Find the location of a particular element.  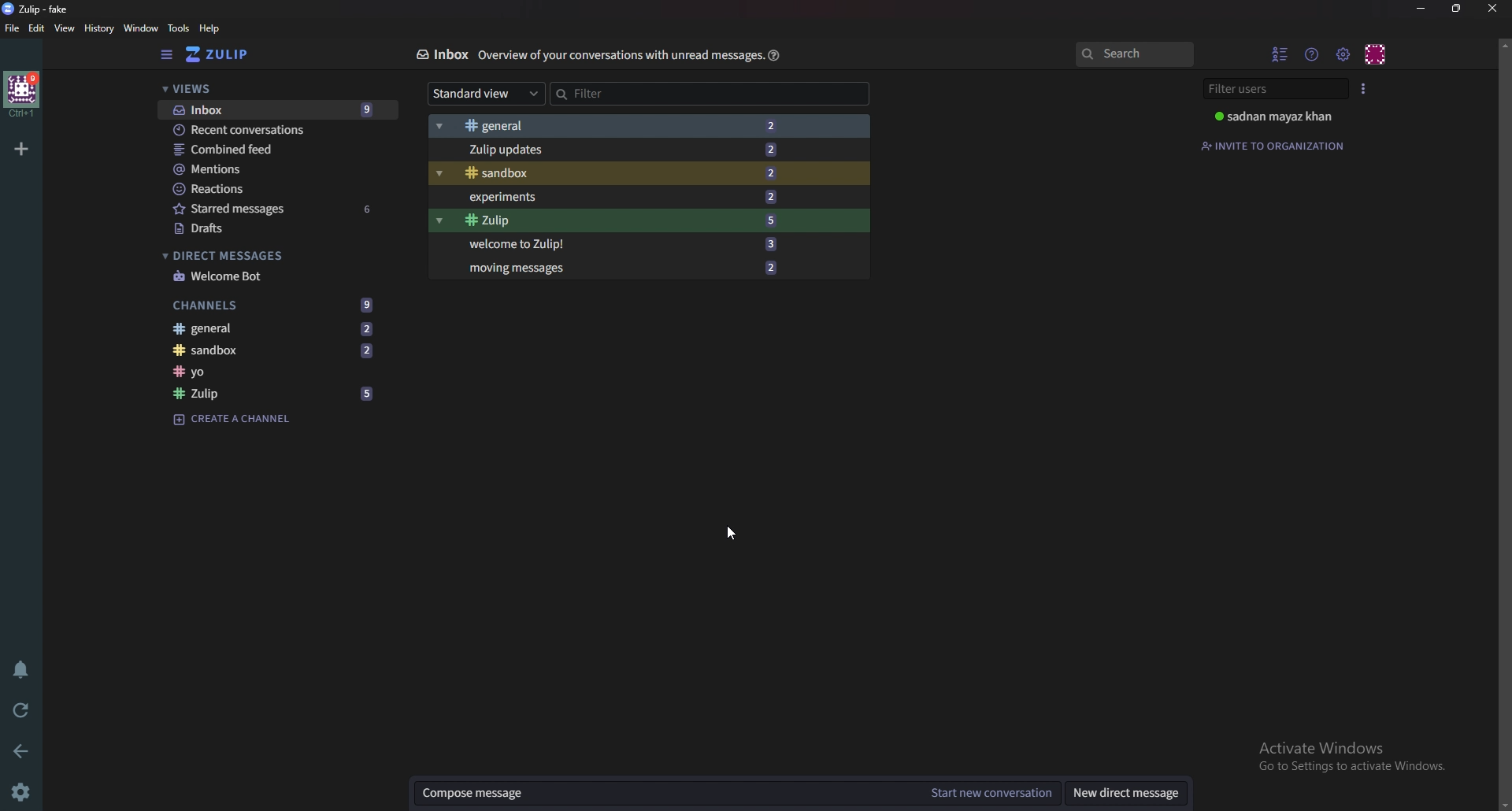

Hide side bar is located at coordinates (164, 55).